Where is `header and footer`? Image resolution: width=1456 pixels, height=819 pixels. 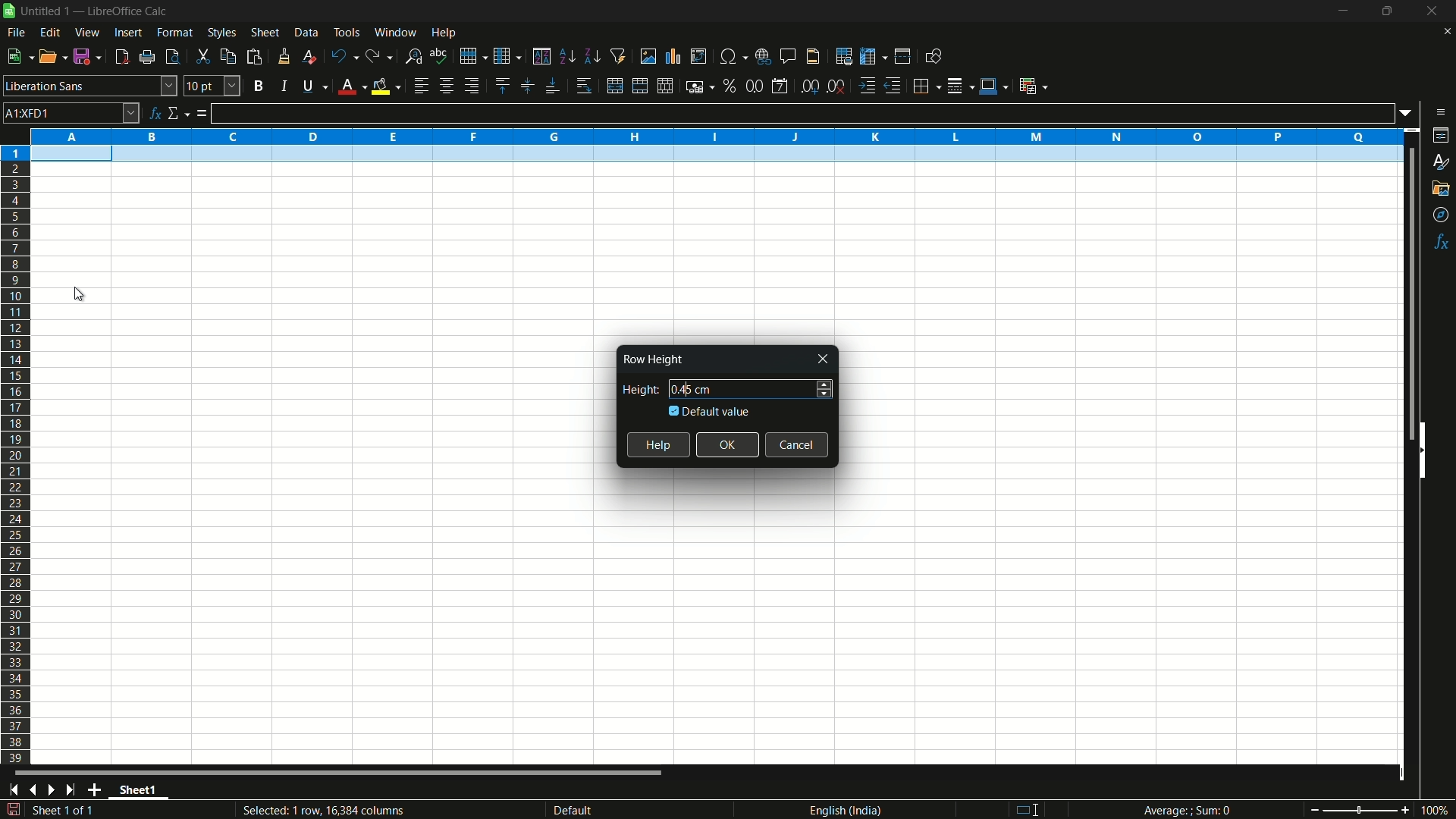 header and footer is located at coordinates (814, 57).